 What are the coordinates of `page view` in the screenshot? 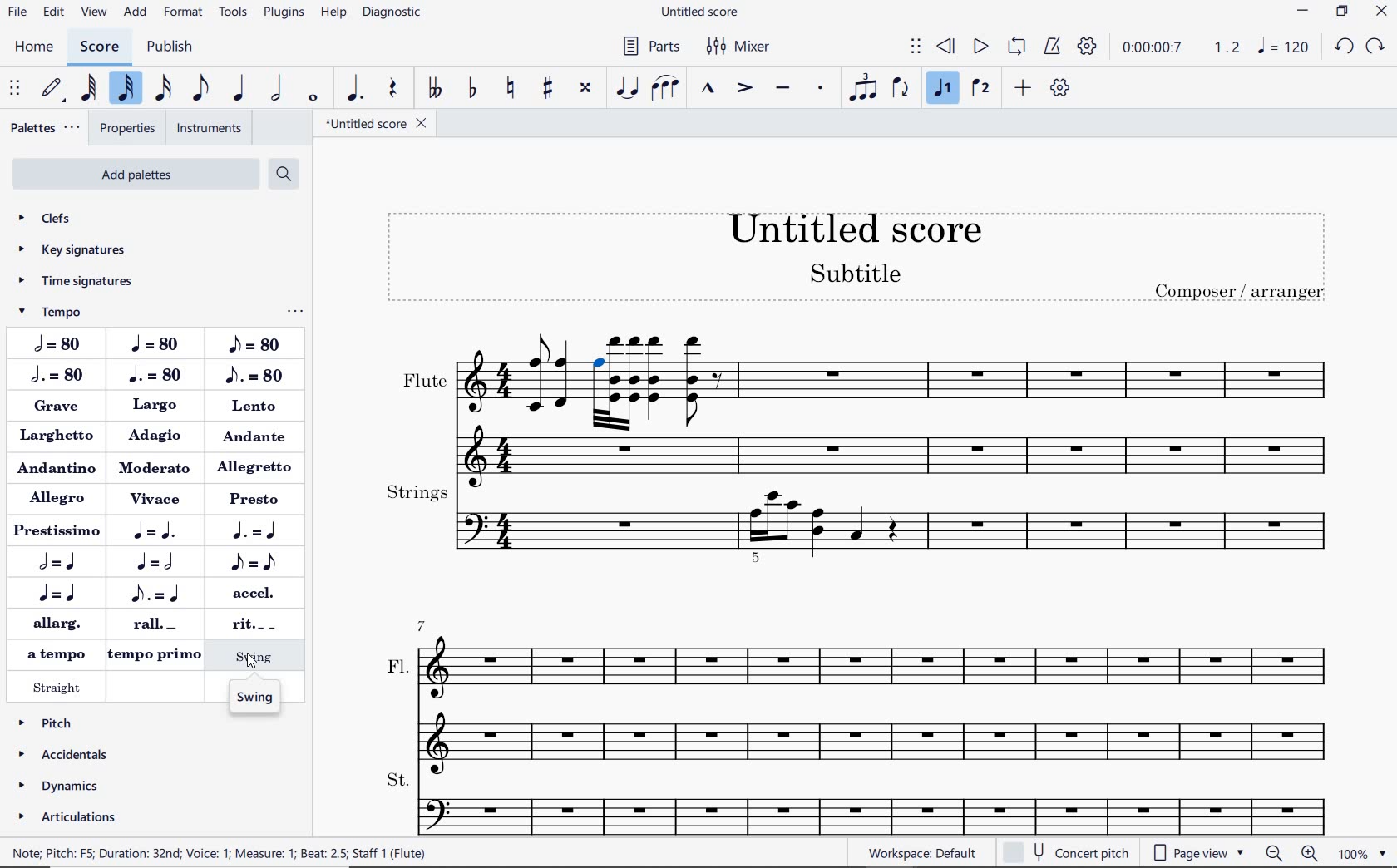 It's located at (1196, 851).